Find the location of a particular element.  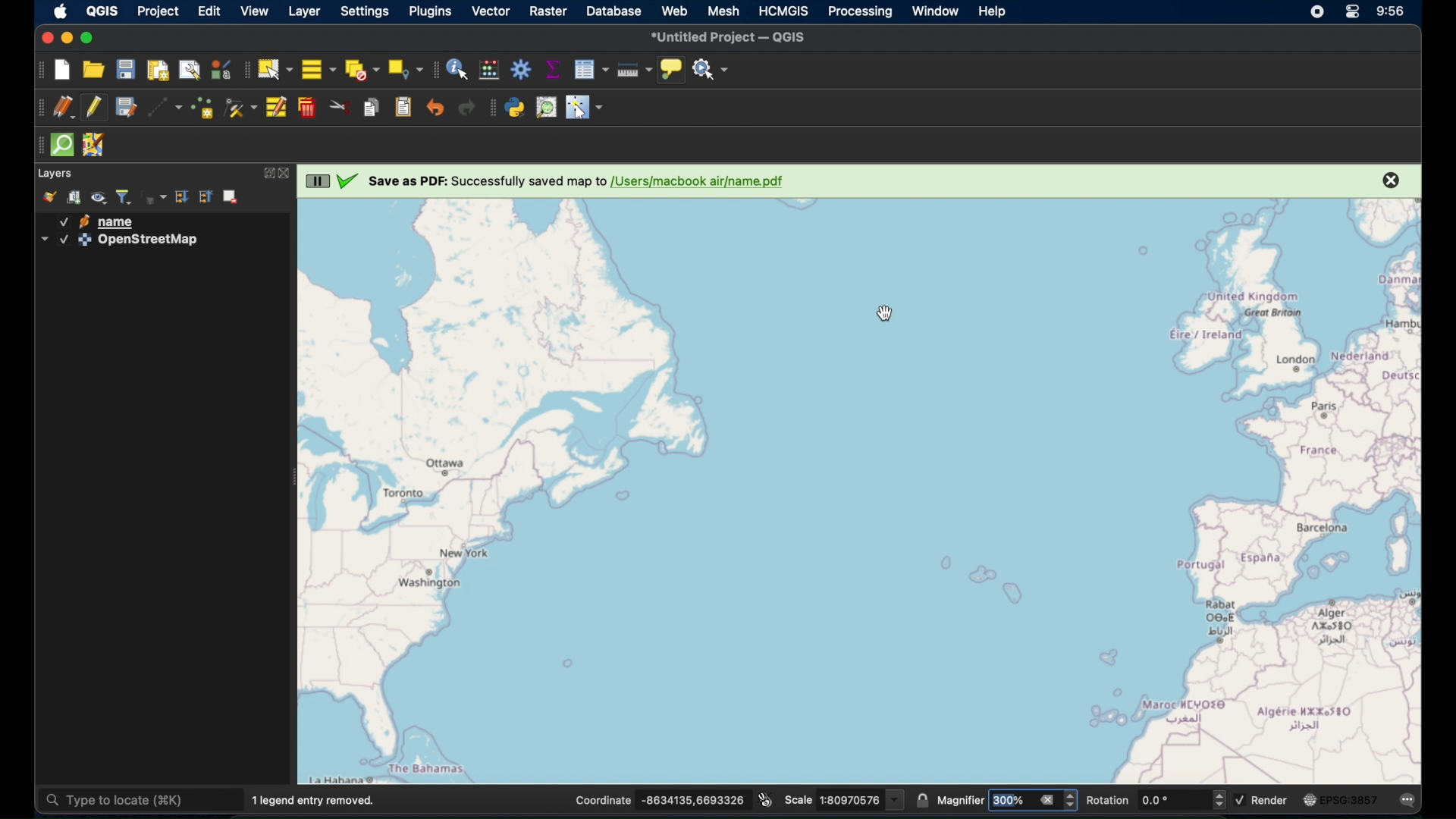

close is located at coordinates (287, 174).